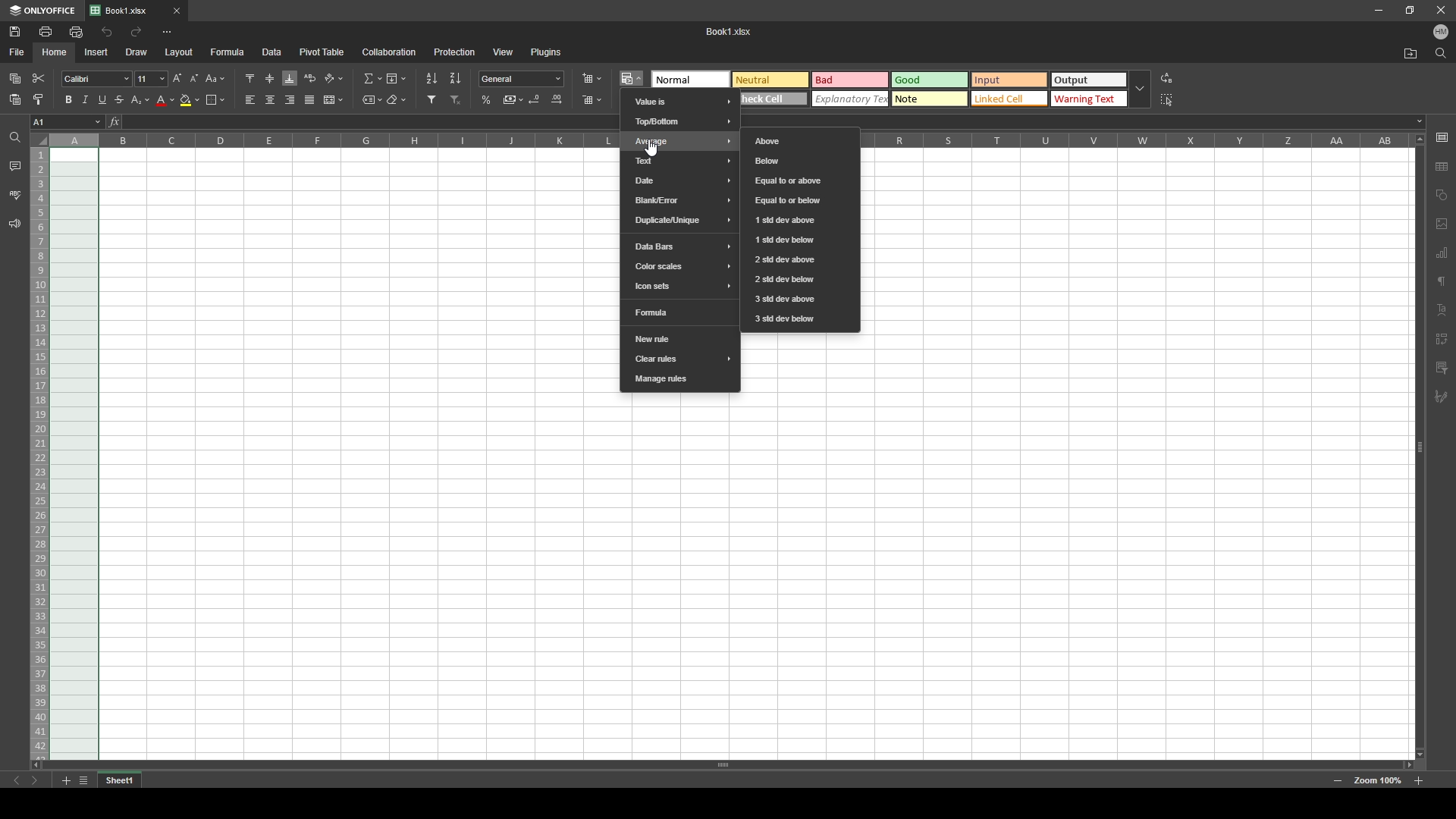 This screenshot has height=819, width=1456. Describe the element at coordinates (798, 200) in the screenshot. I see `equal to or below` at that location.